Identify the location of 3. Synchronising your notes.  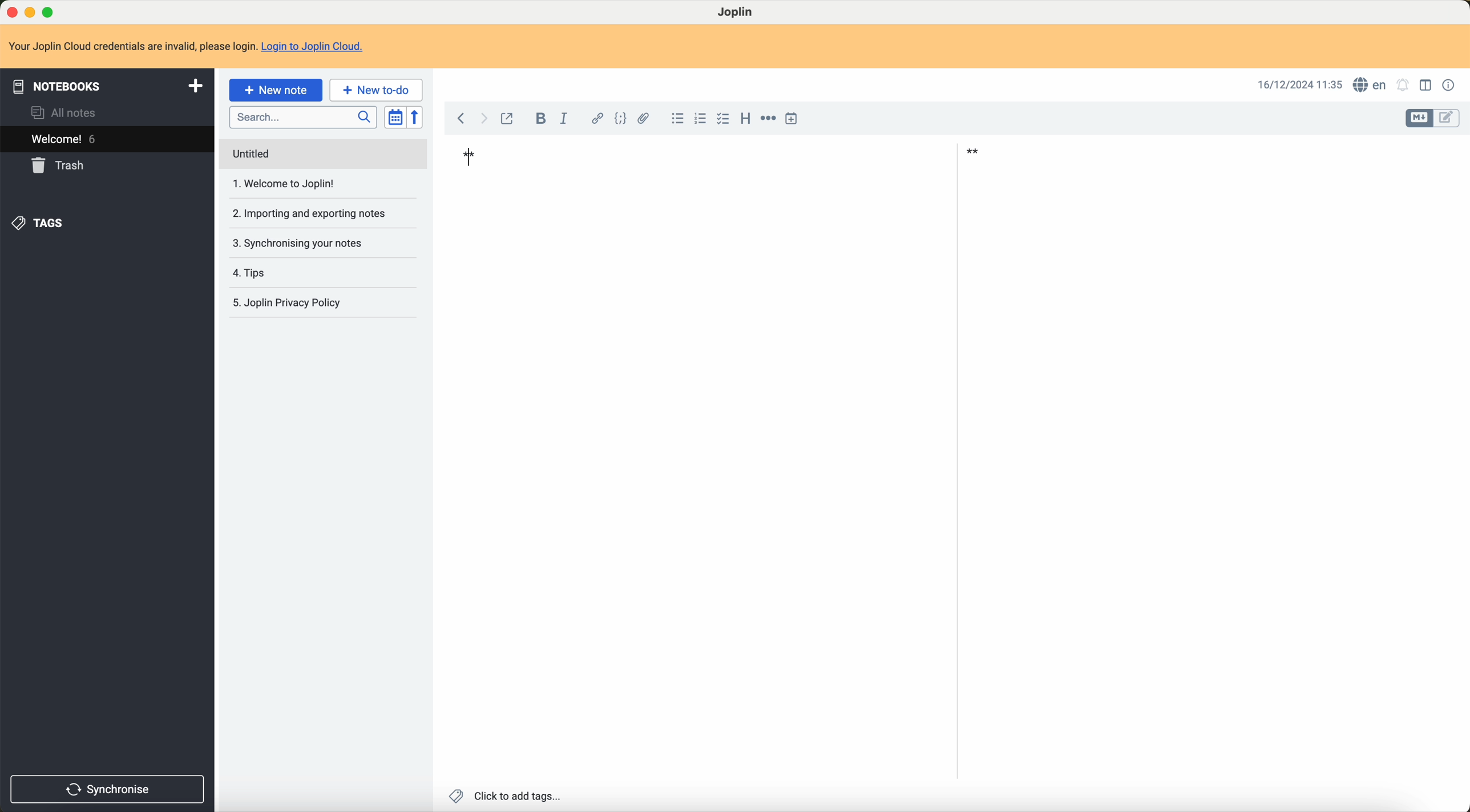
(302, 244).